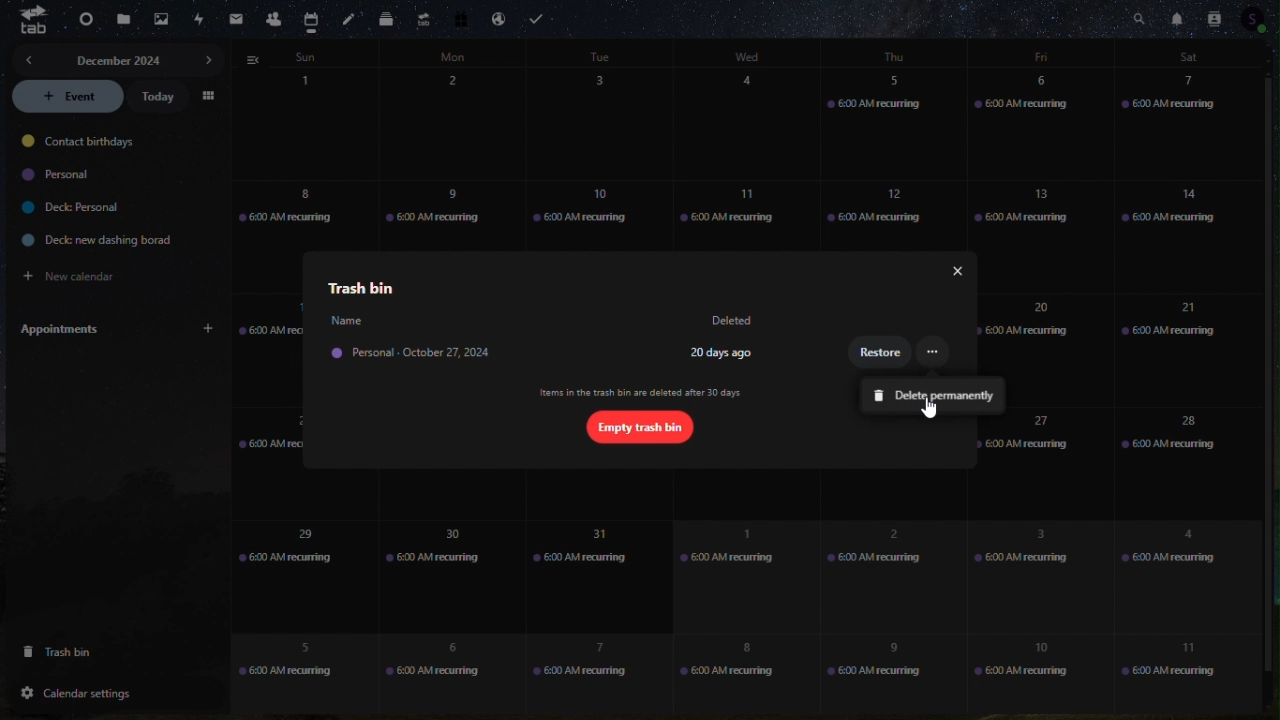  I want to click on Task, so click(541, 16).